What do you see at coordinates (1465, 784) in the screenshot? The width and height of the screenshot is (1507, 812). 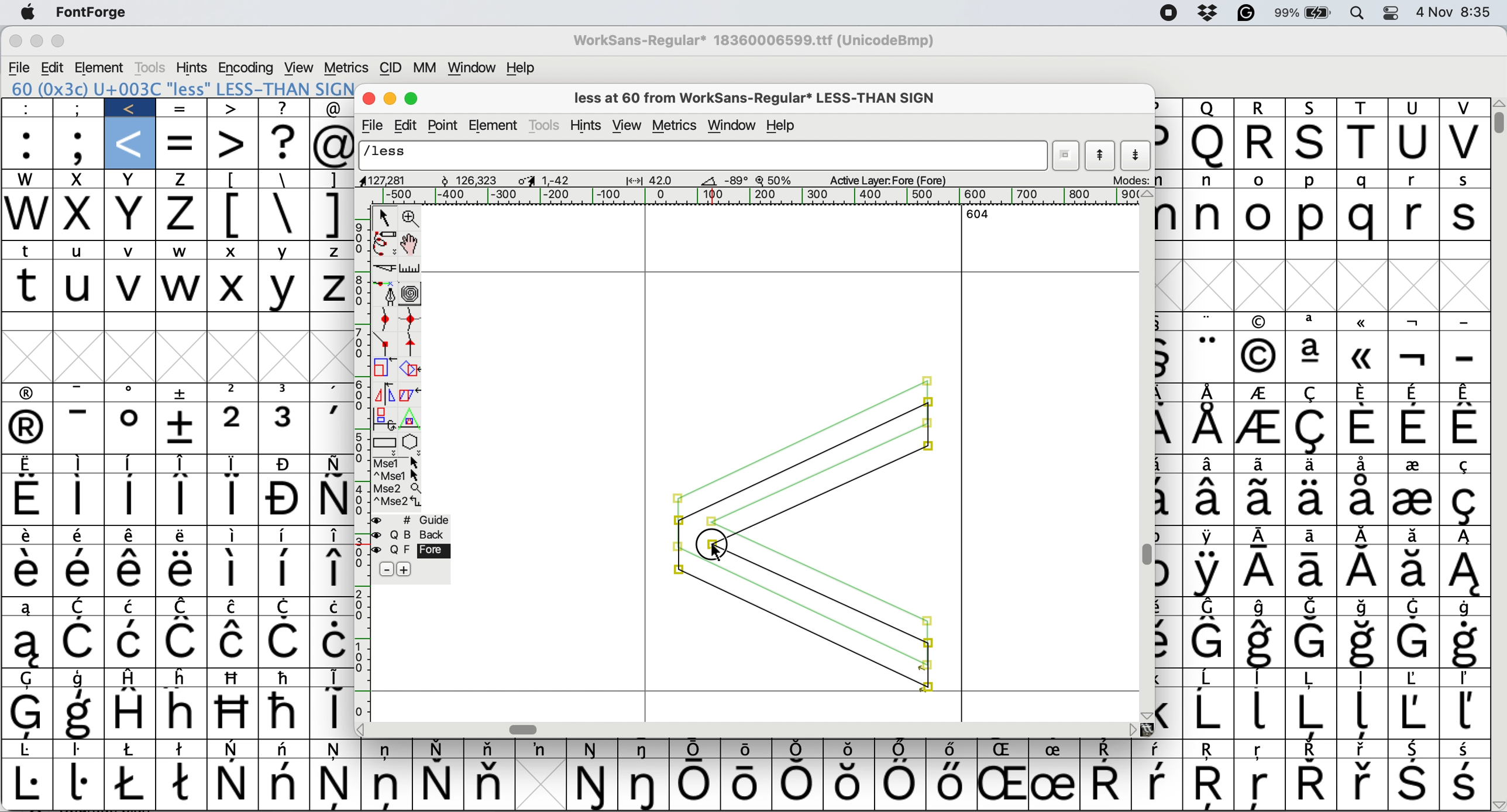 I see `Symbol` at bounding box center [1465, 784].